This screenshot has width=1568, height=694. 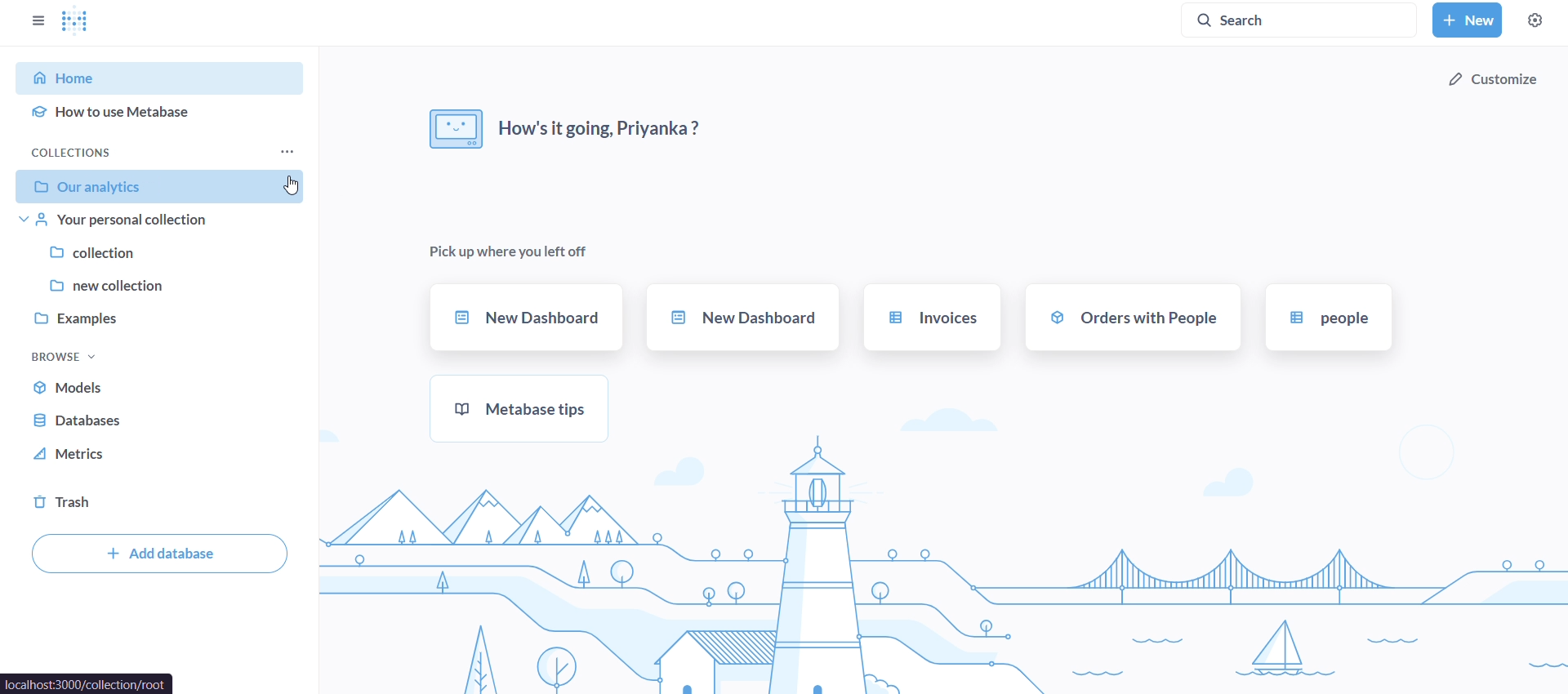 I want to click on trash, so click(x=84, y=504).